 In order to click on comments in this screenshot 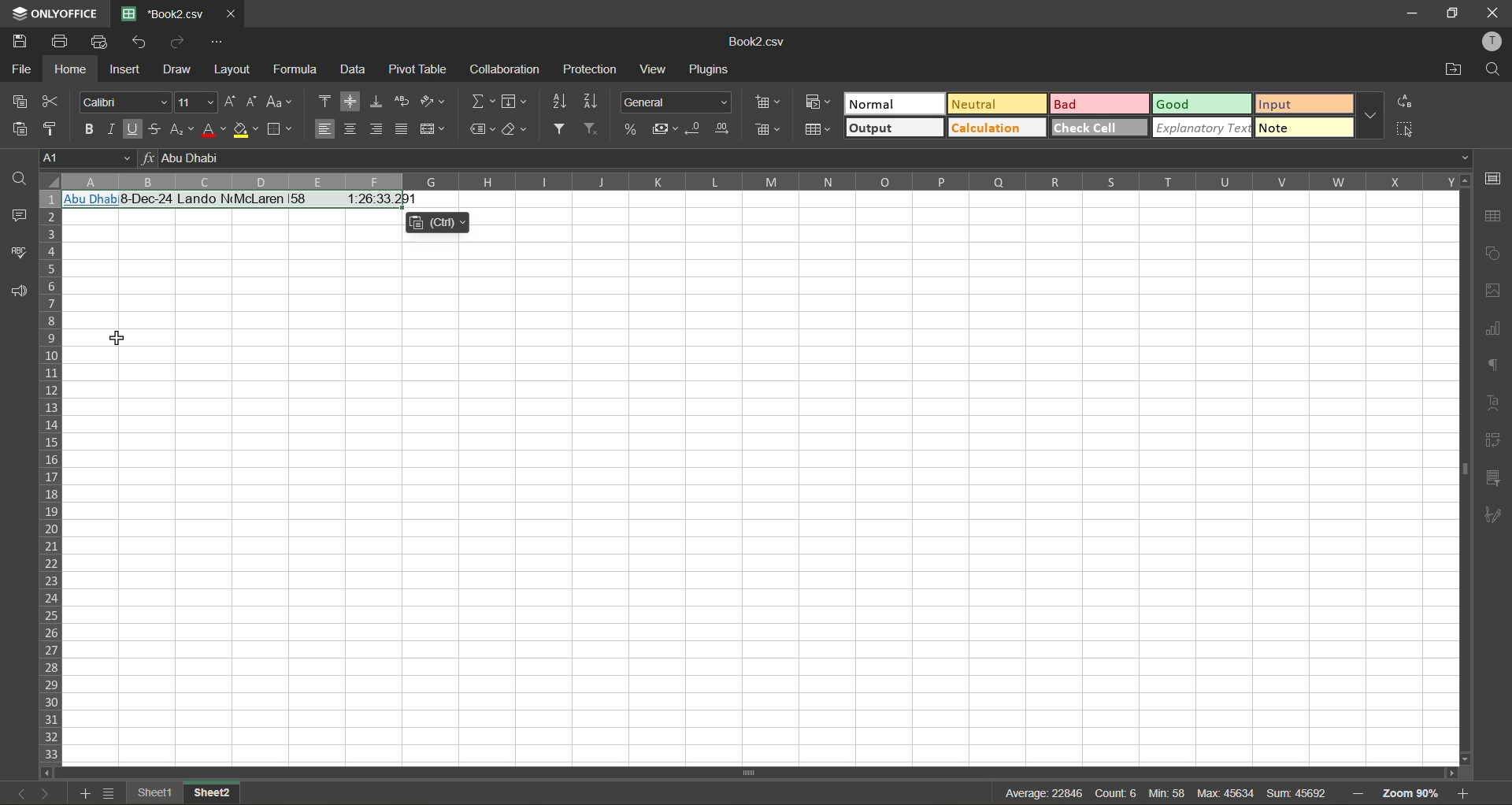, I will do `click(16, 213)`.